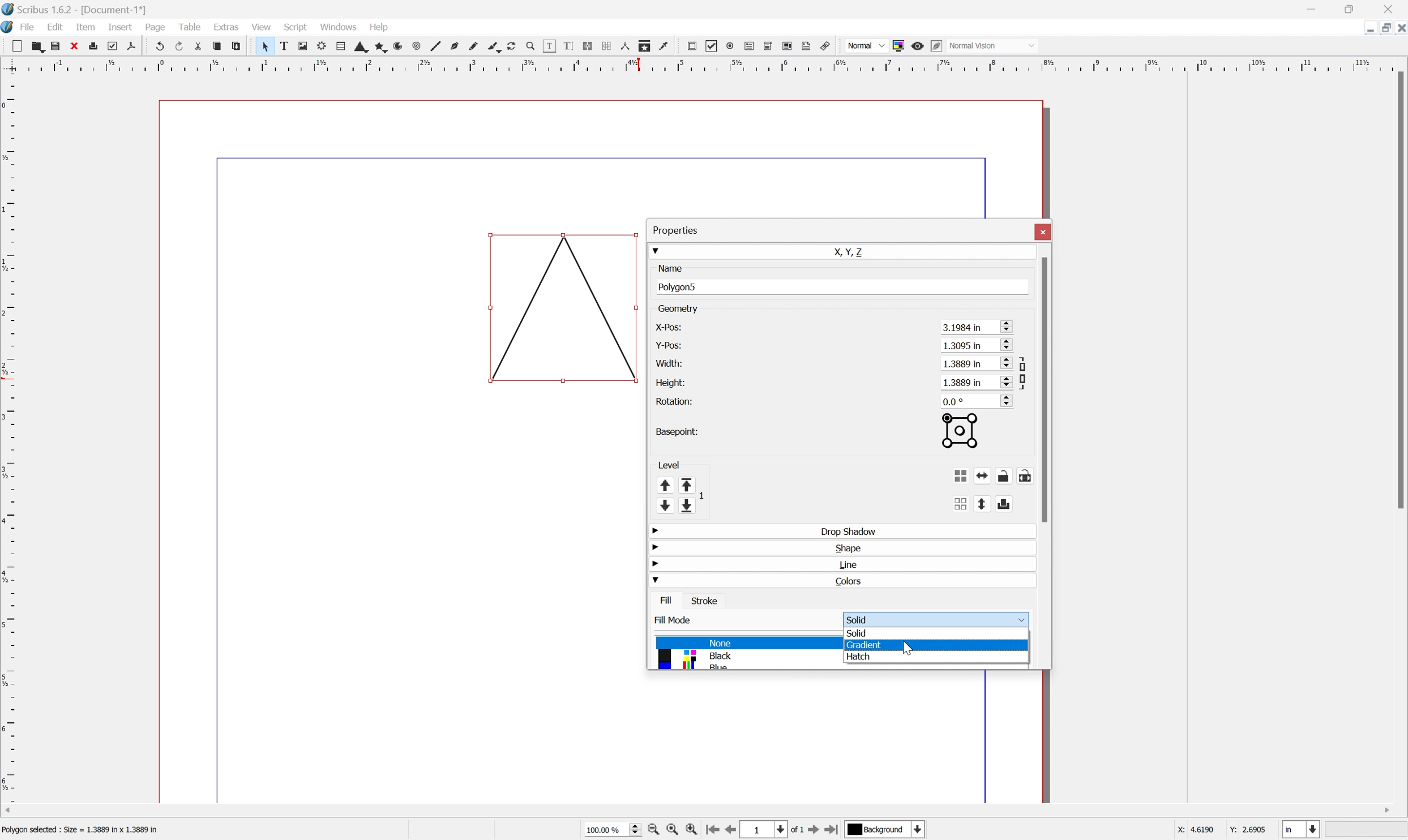 This screenshot has height=840, width=1408. What do you see at coordinates (9, 439) in the screenshot?
I see `Scale` at bounding box center [9, 439].